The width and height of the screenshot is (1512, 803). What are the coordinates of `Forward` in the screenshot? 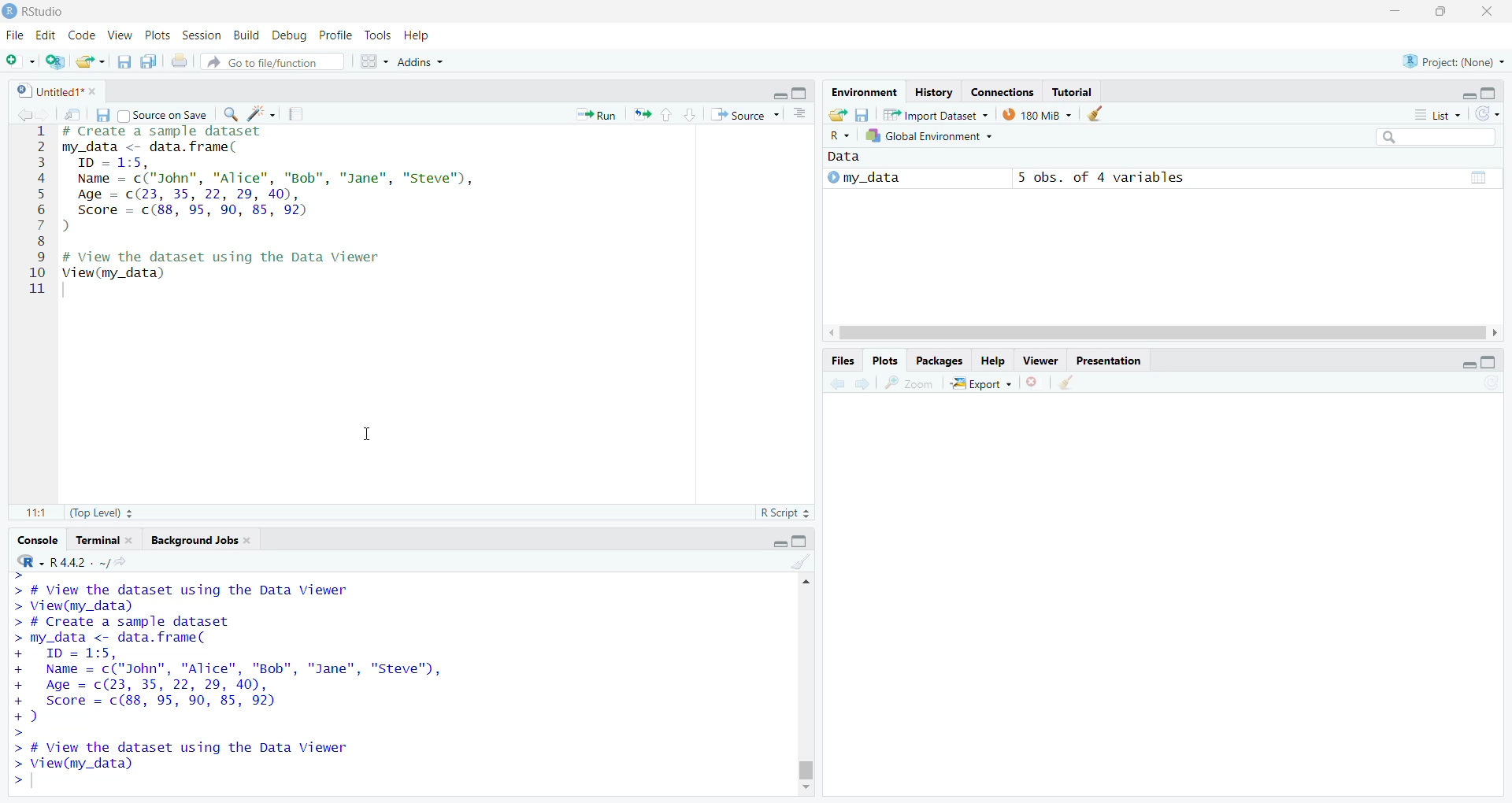 It's located at (46, 115).